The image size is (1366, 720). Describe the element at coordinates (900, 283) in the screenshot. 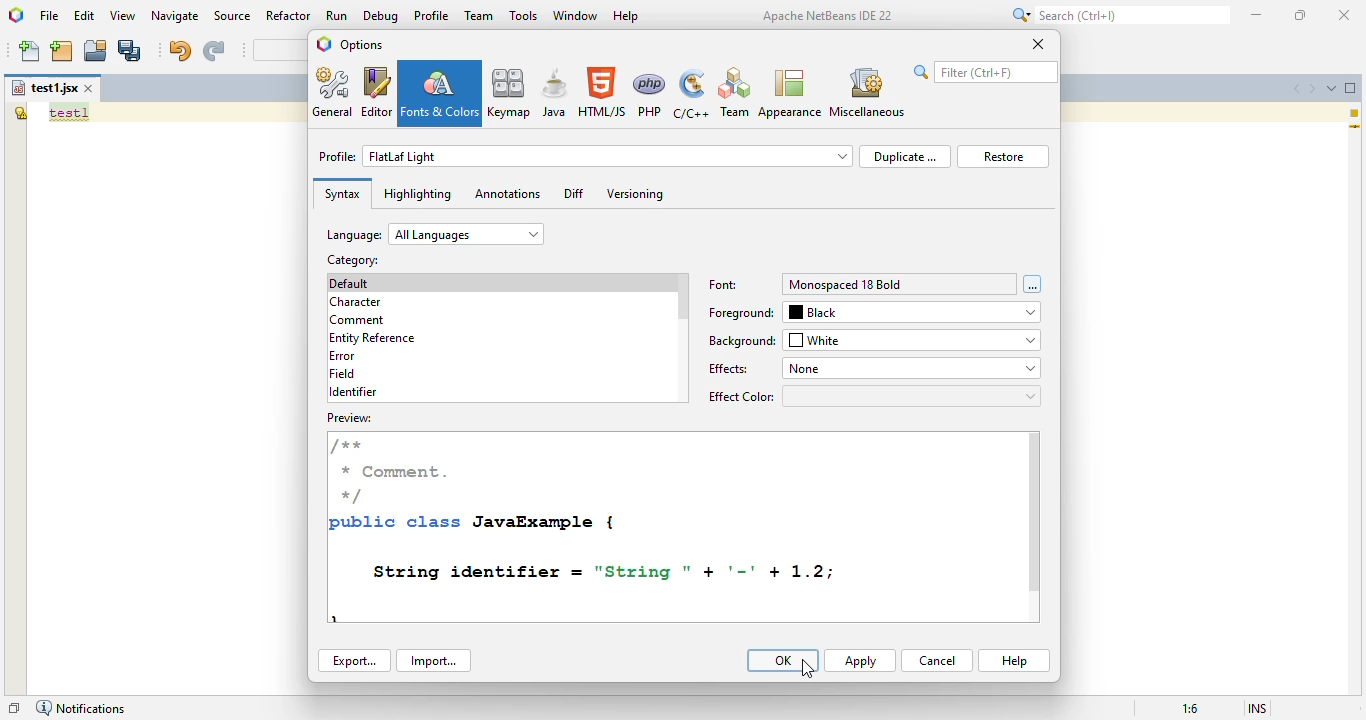

I see `monospaced 18 bold` at that location.